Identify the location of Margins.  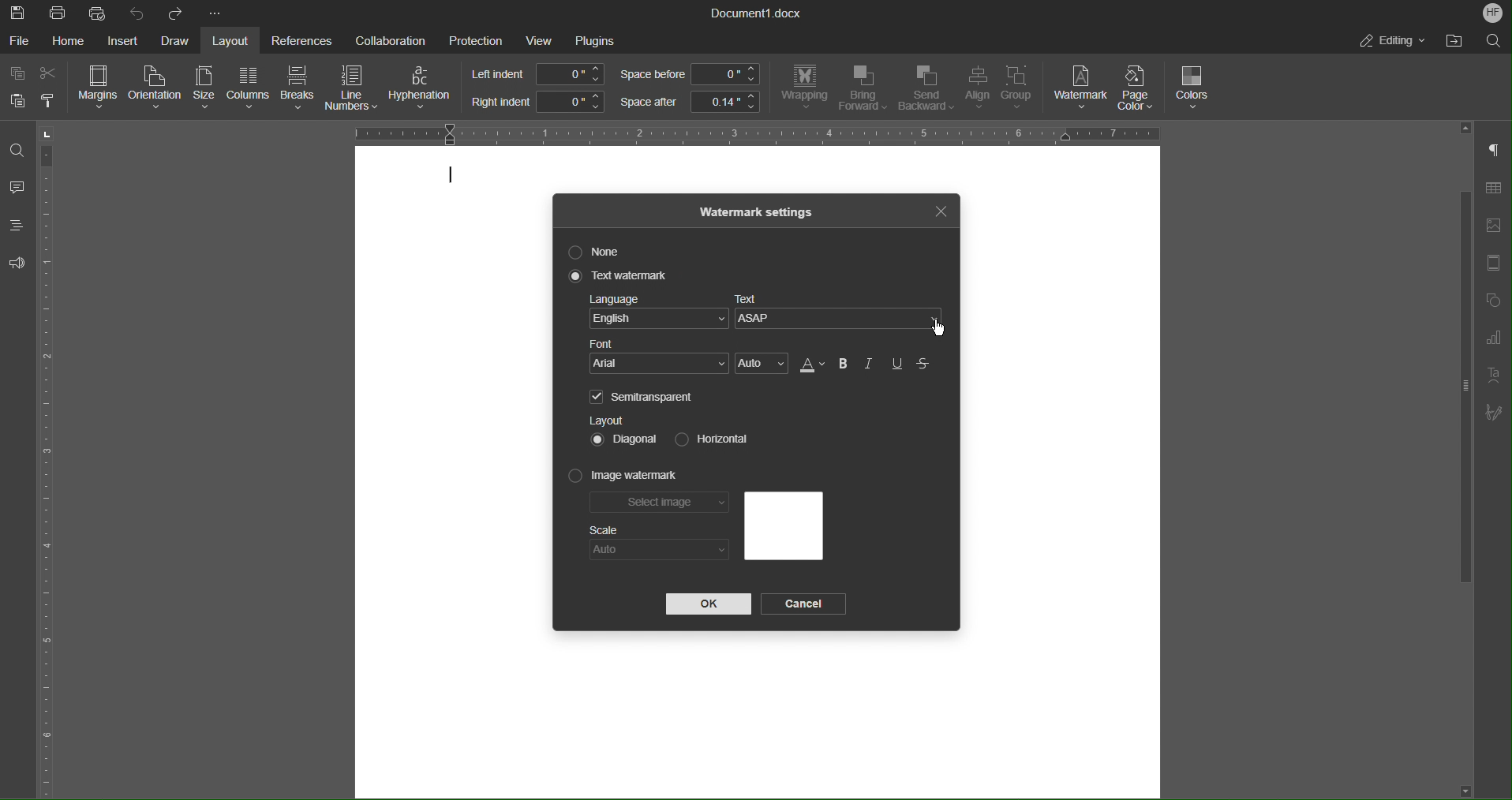
(99, 88).